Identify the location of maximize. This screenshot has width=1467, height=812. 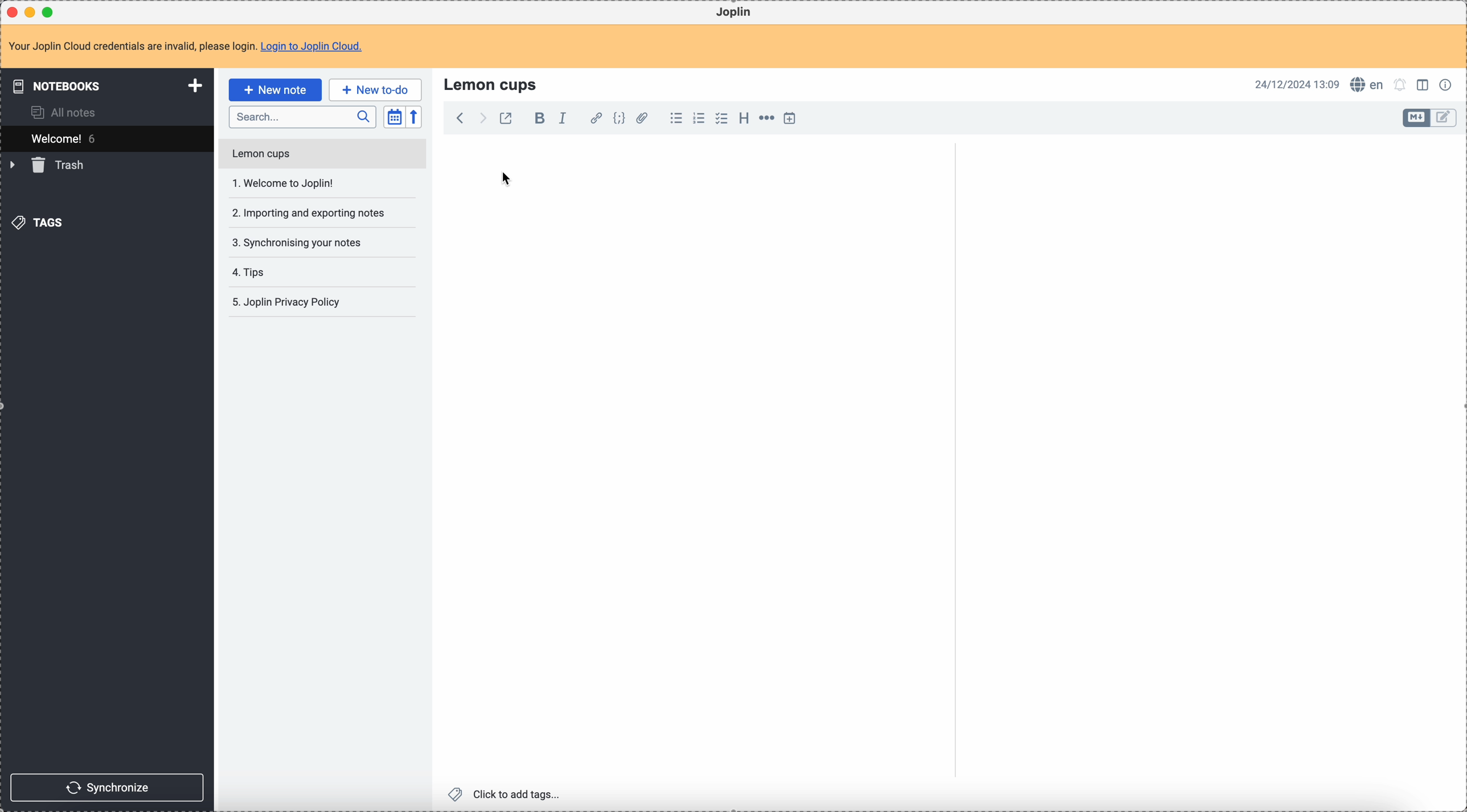
(51, 11).